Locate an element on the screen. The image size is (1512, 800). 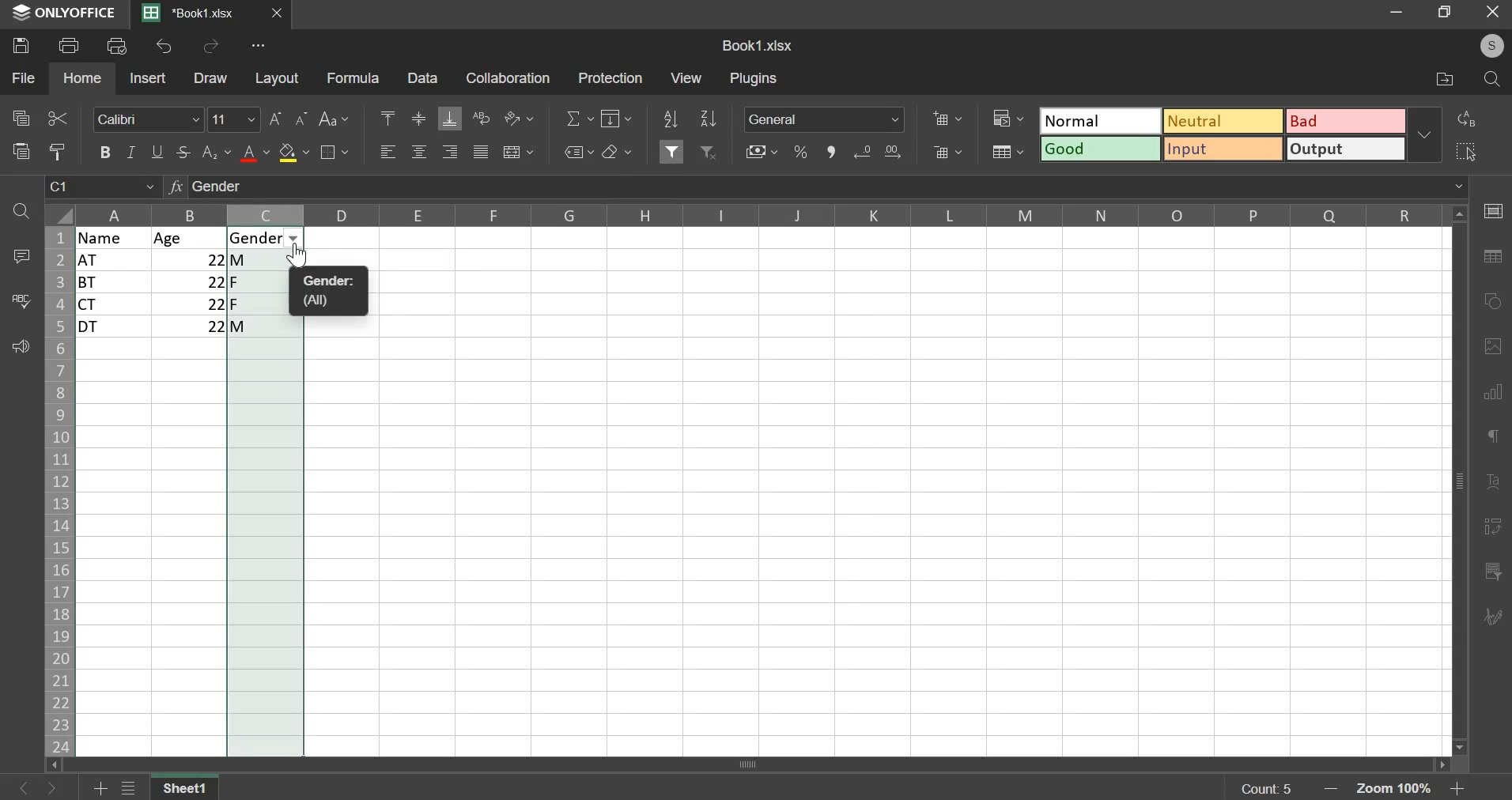
gender (all) is located at coordinates (335, 292).